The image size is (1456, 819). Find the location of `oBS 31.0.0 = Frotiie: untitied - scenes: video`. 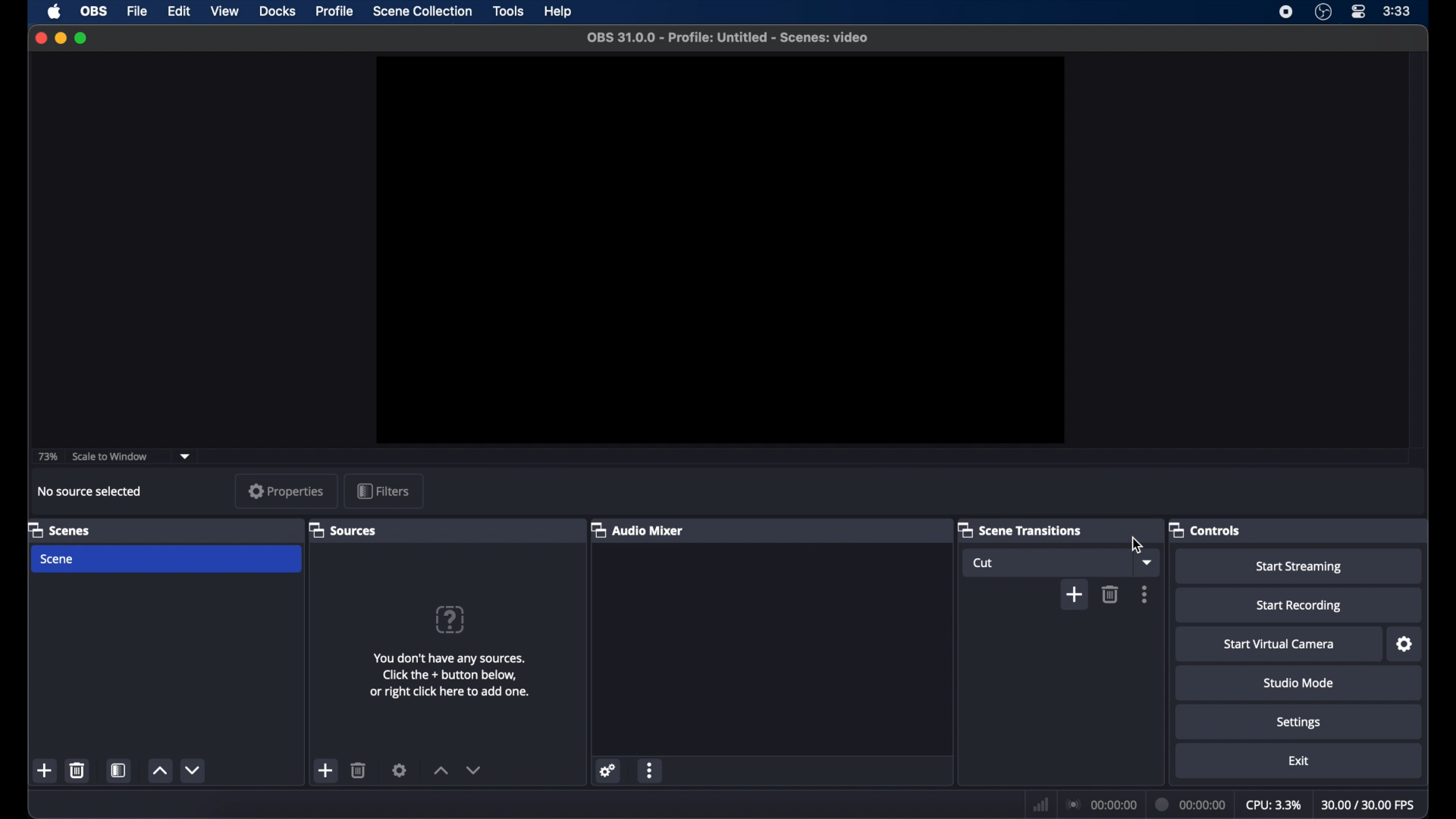

oBS 31.0.0 = Frotiie: untitied - scenes: video is located at coordinates (735, 37).